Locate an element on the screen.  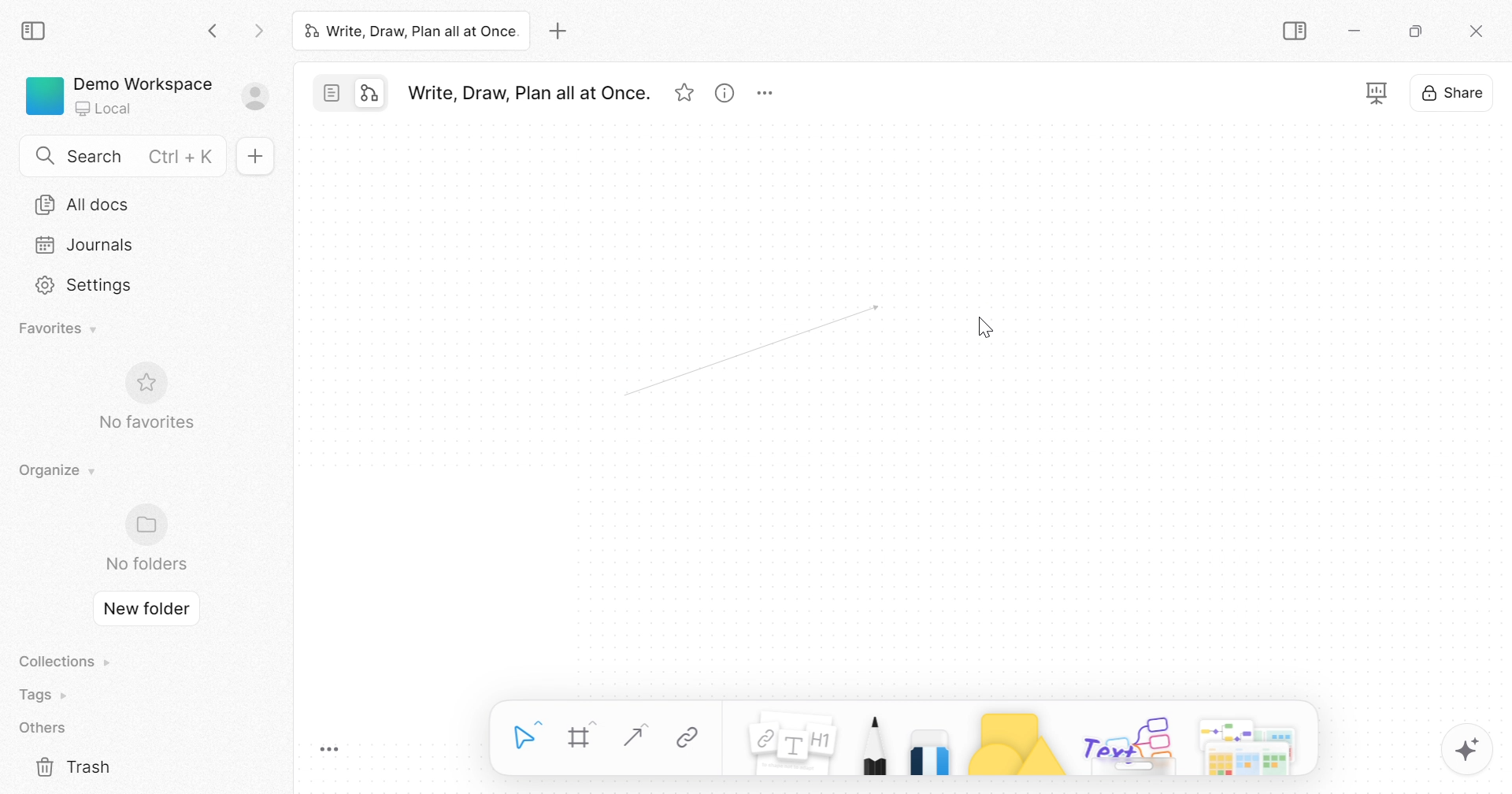
Collapse sidebar is located at coordinates (1298, 32).